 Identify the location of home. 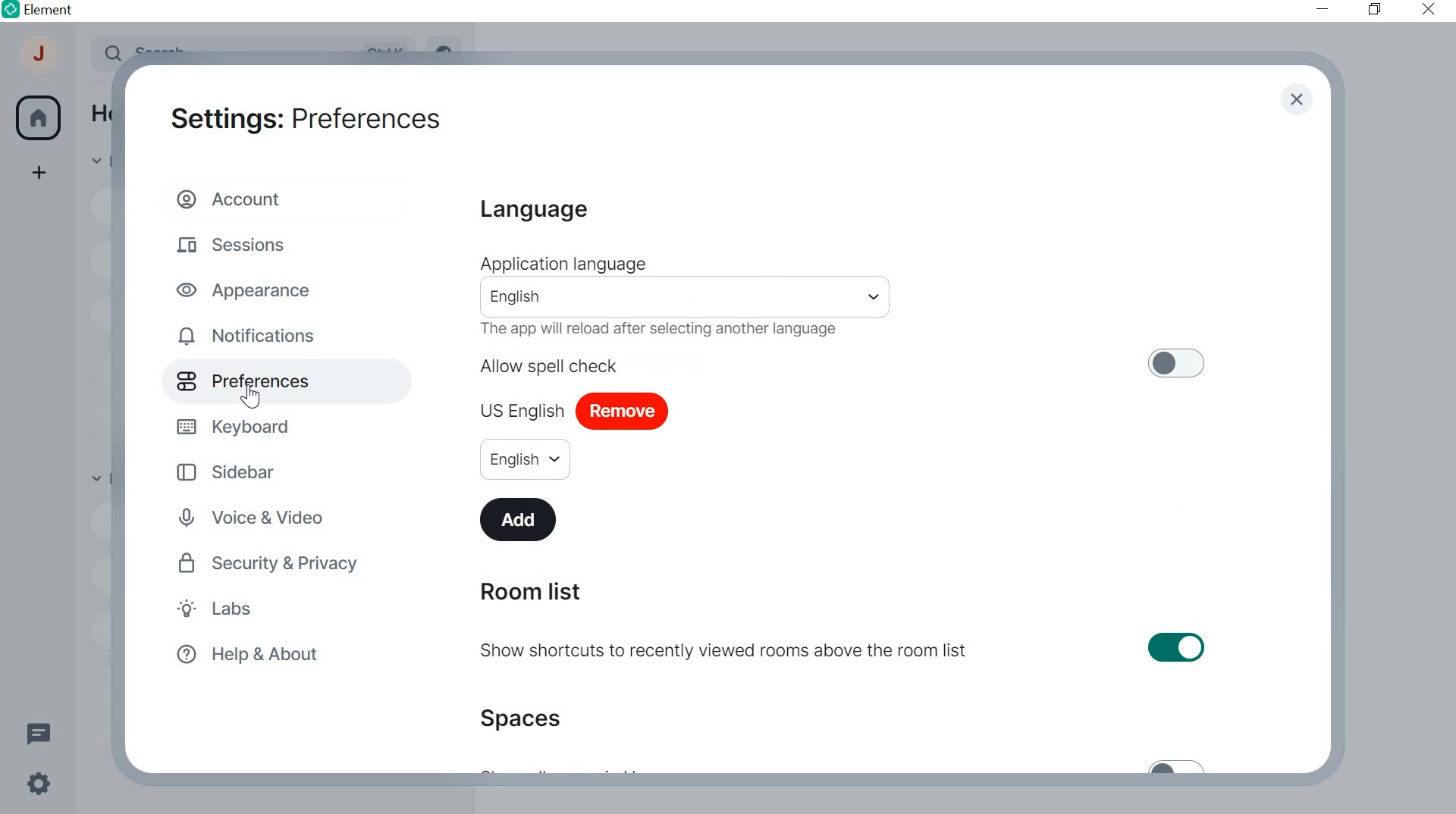
(38, 118).